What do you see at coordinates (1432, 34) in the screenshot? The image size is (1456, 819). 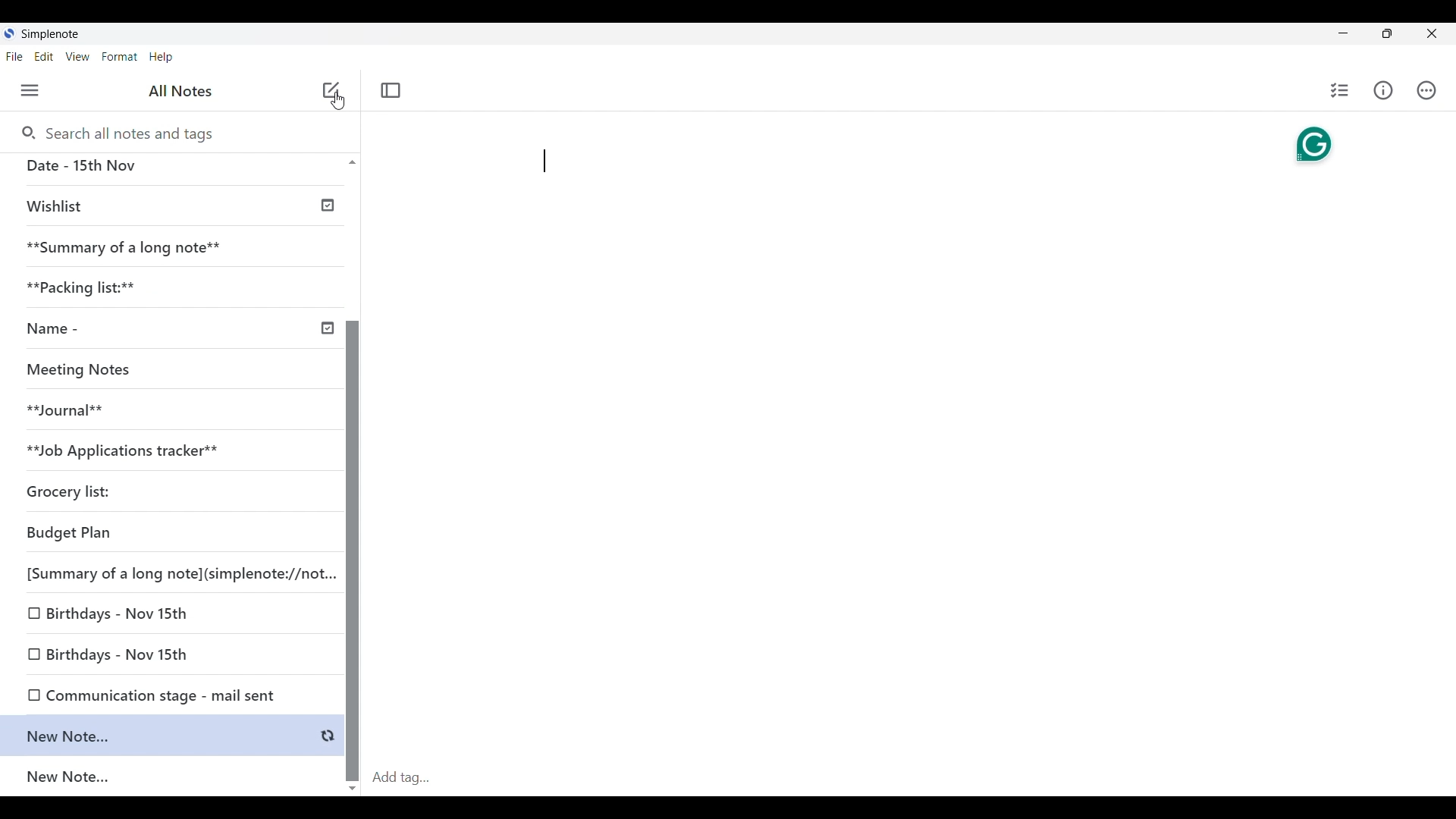 I see `Close` at bounding box center [1432, 34].